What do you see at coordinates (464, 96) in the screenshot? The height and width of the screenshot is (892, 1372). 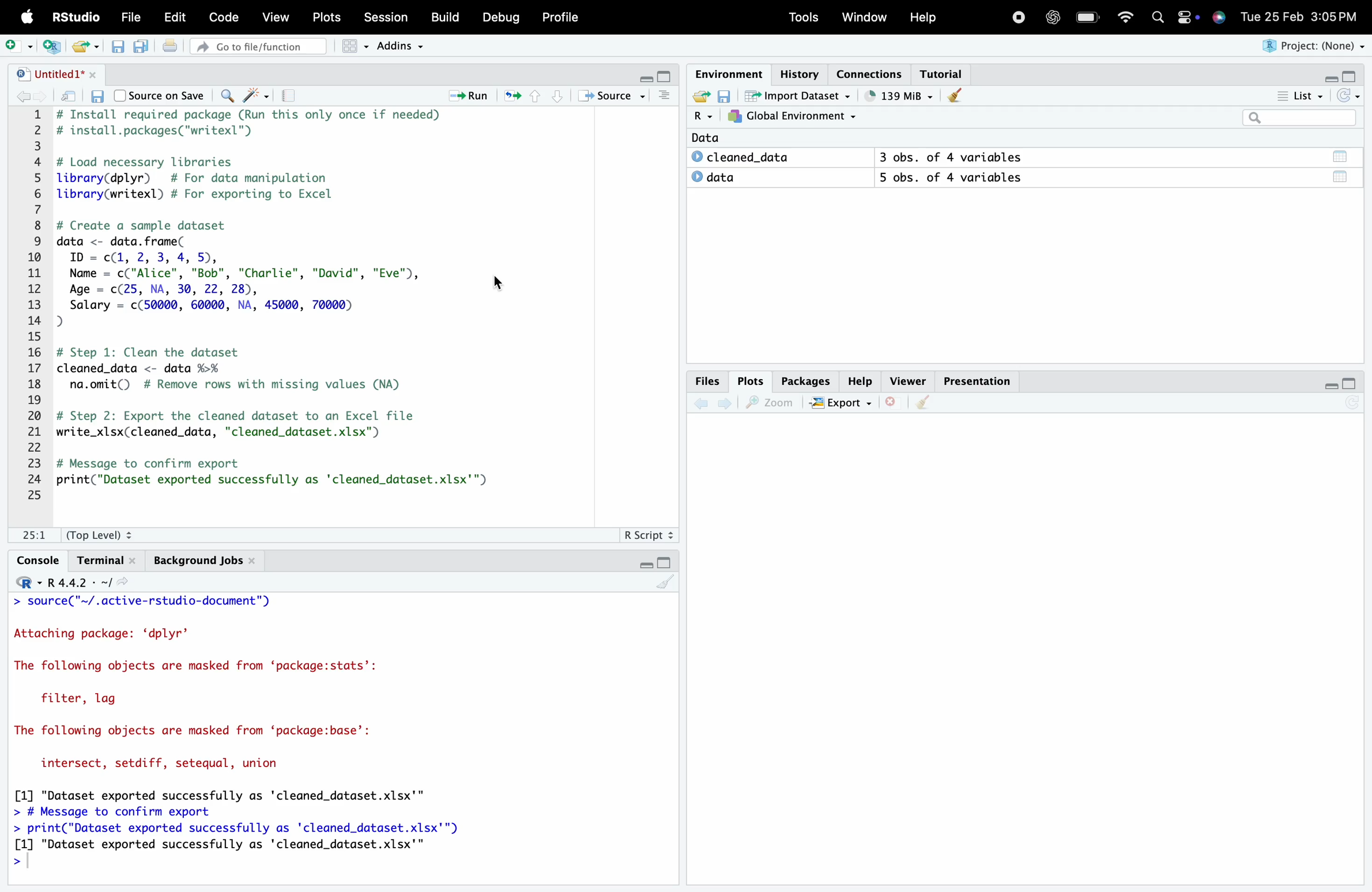 I see `Run the current line or selection (Ctrl + Enter)` at bounding box center [464, 96].